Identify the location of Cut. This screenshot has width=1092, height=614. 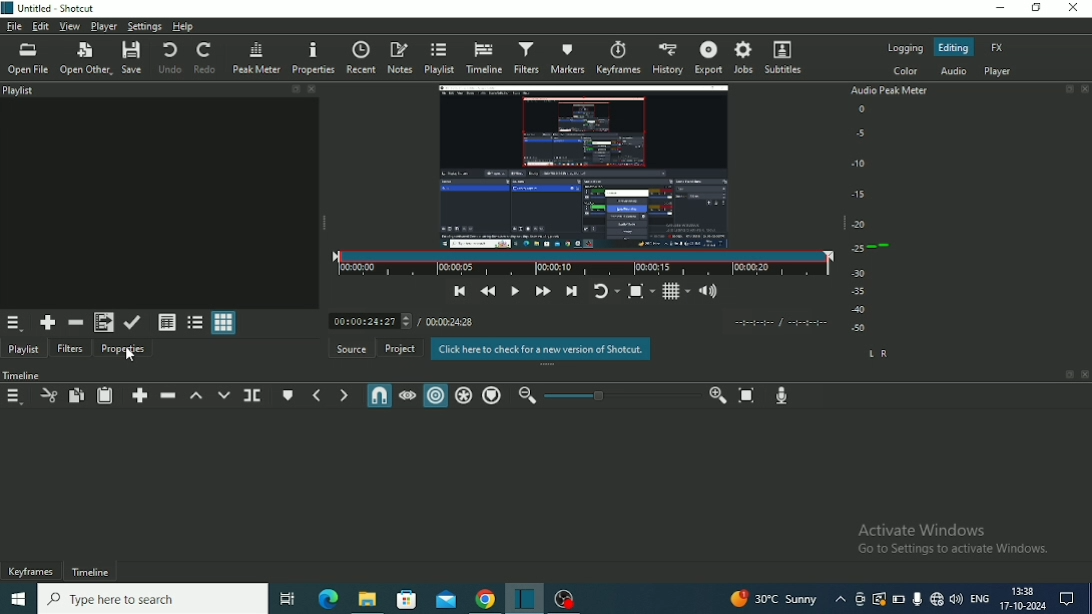
(47, 397).